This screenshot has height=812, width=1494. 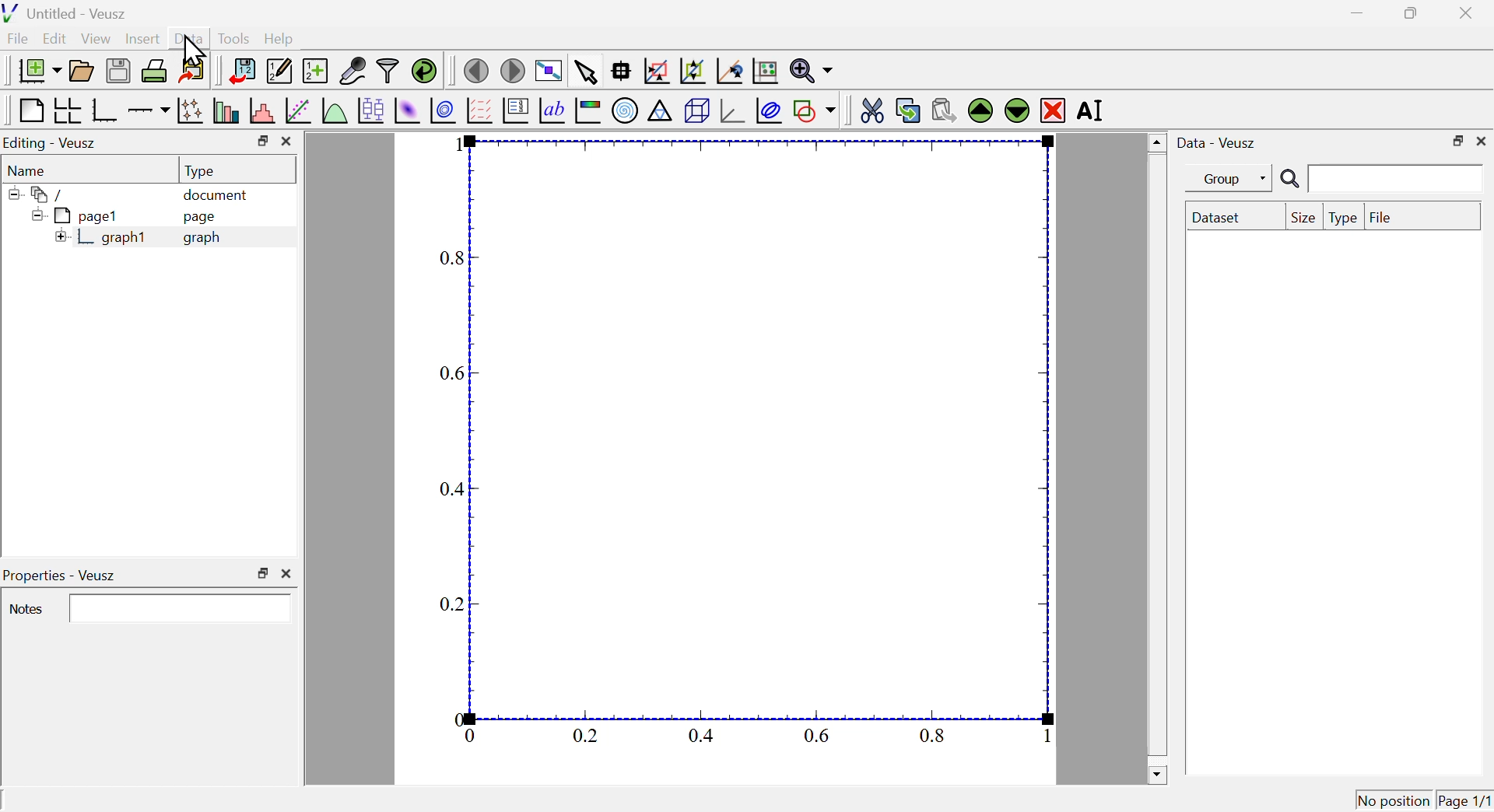 I want to click on Edit, so click(x=55, y=40).